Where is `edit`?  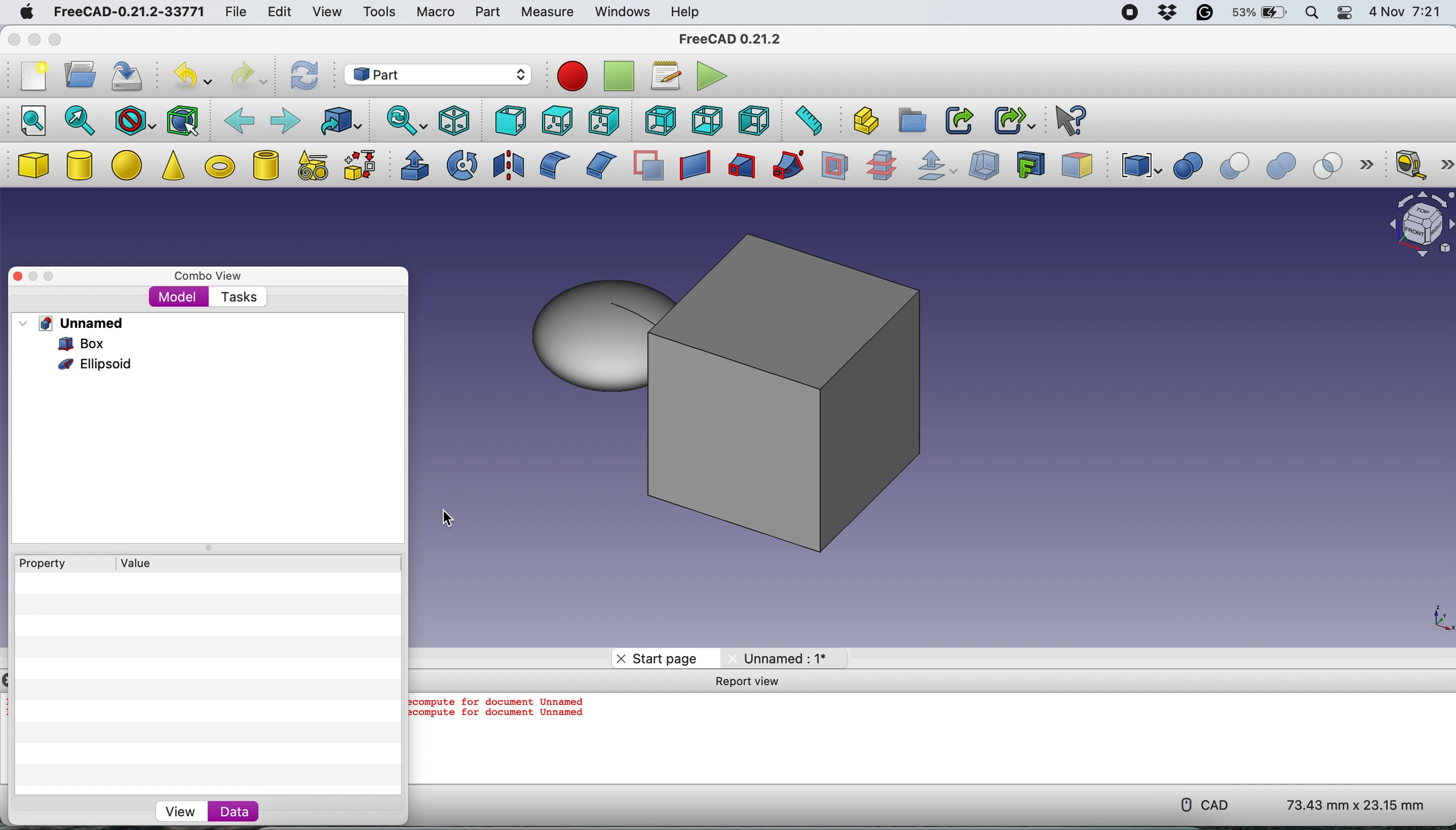 edit is located at coordinates (276, 13).